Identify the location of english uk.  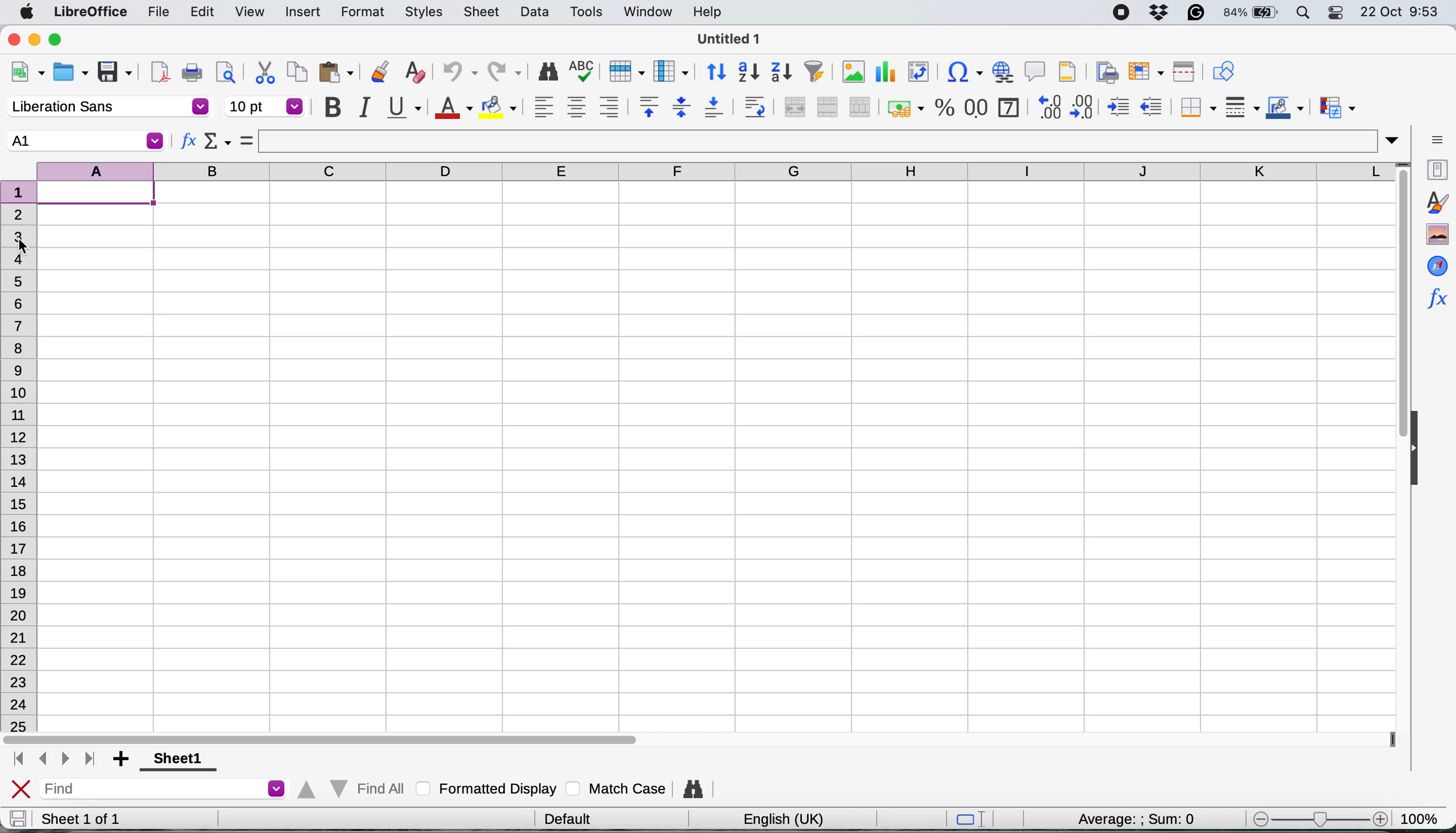
(783, 819).